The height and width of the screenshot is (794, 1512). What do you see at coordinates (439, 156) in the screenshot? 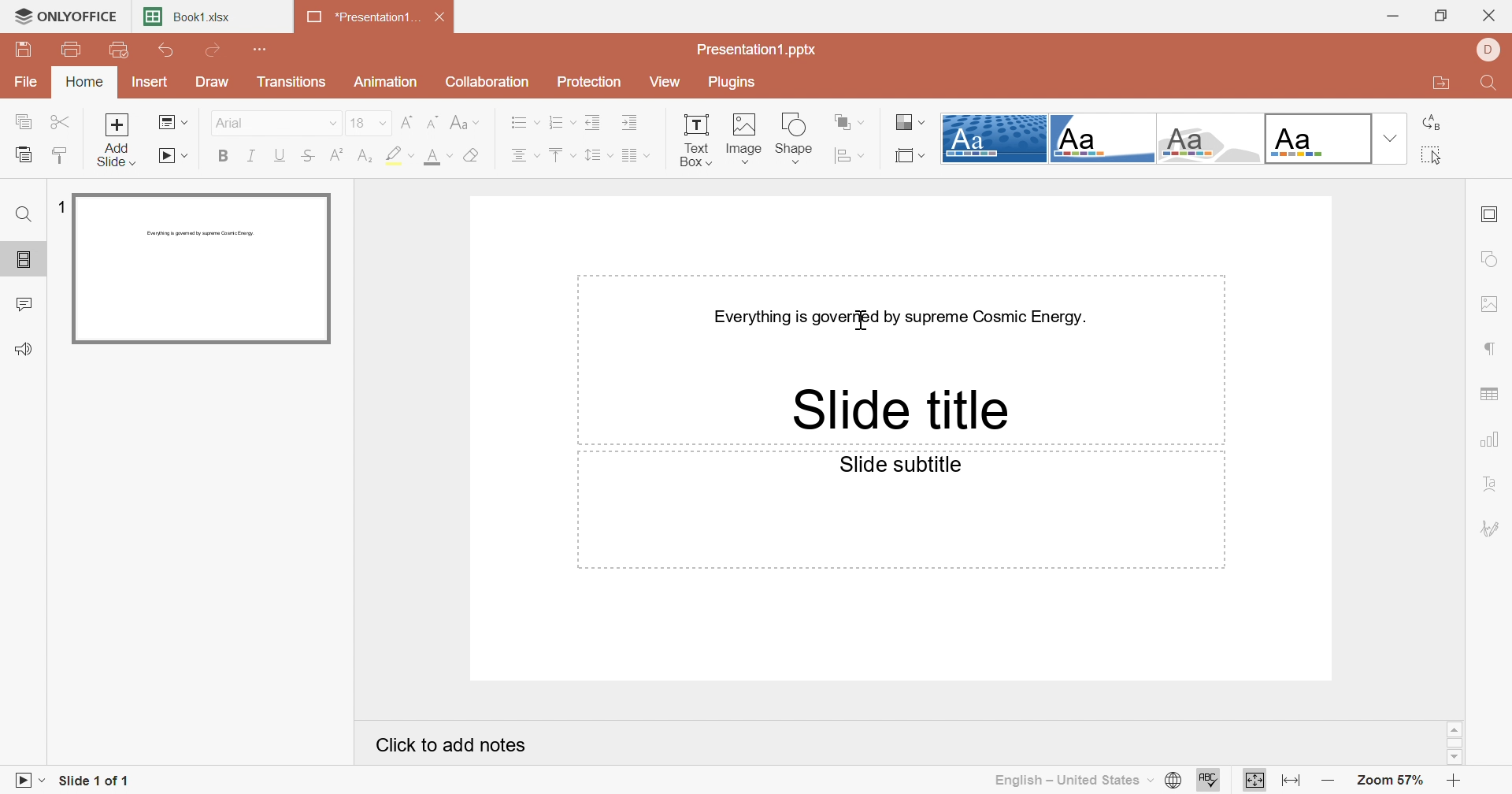
I see `font color` at bounding box center [439, 156].